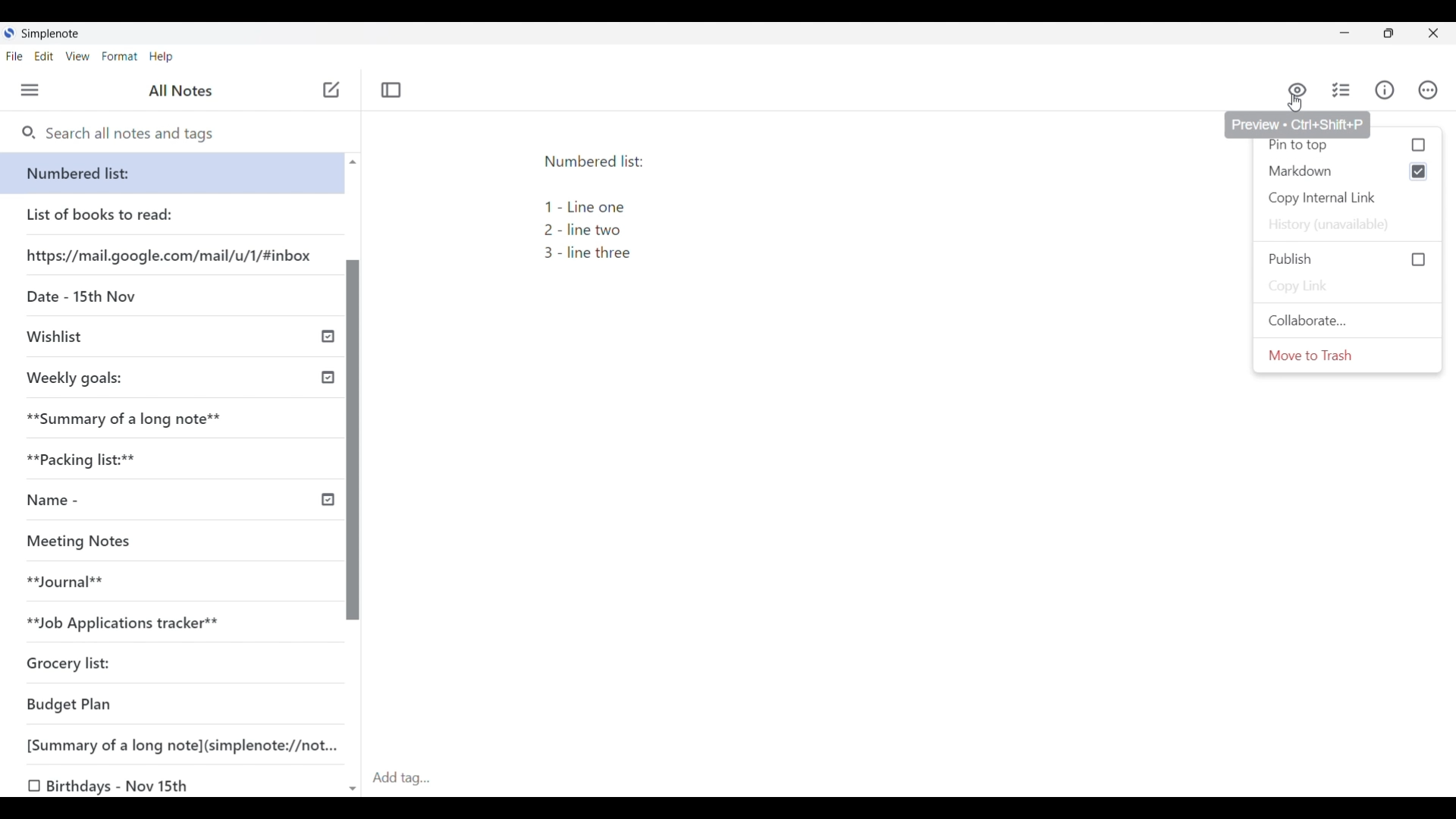  I want to click on Move to trash, so click(1347, 355).